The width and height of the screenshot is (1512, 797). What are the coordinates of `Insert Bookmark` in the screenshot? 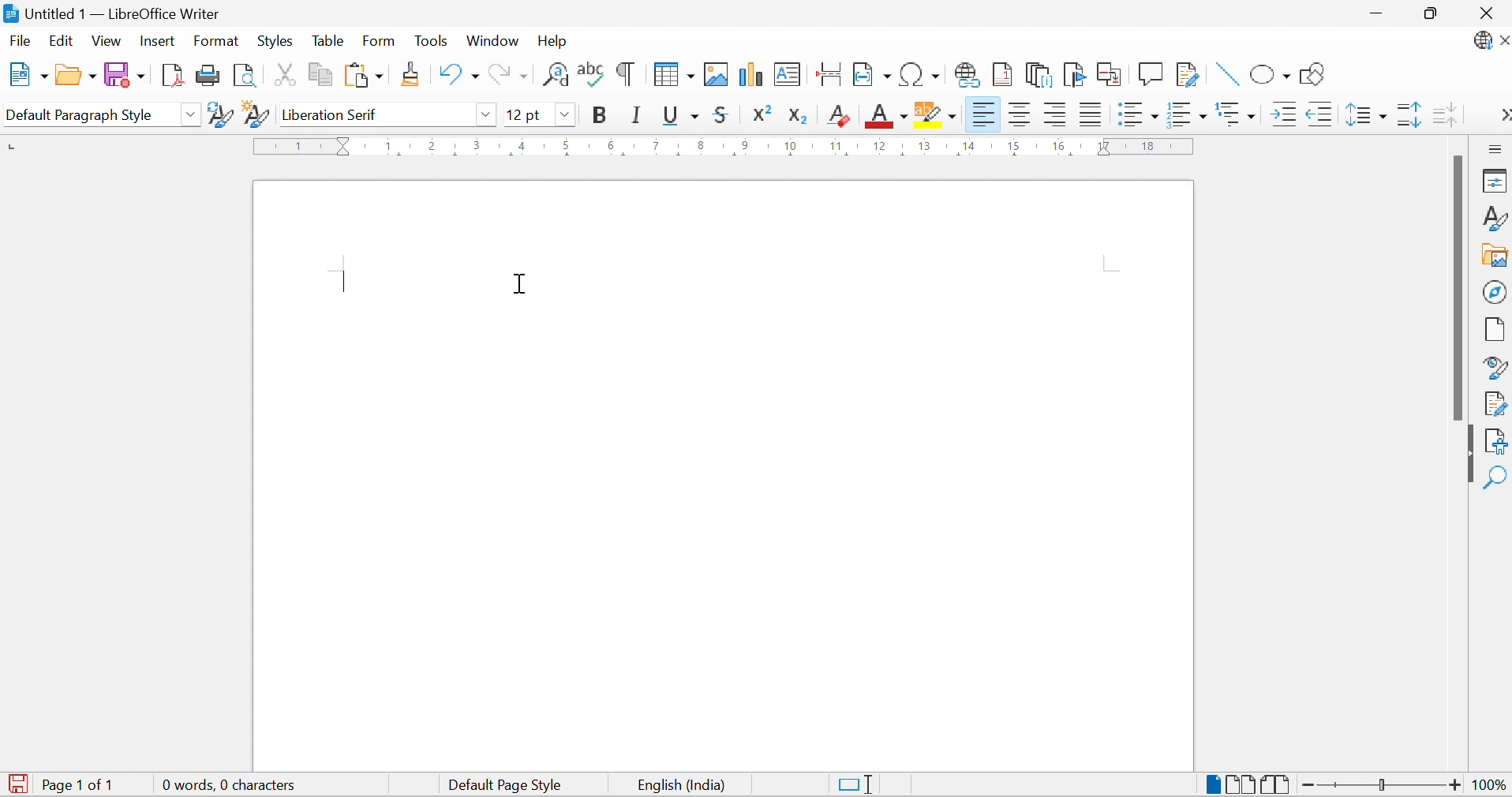 It's located at (1074, 74).